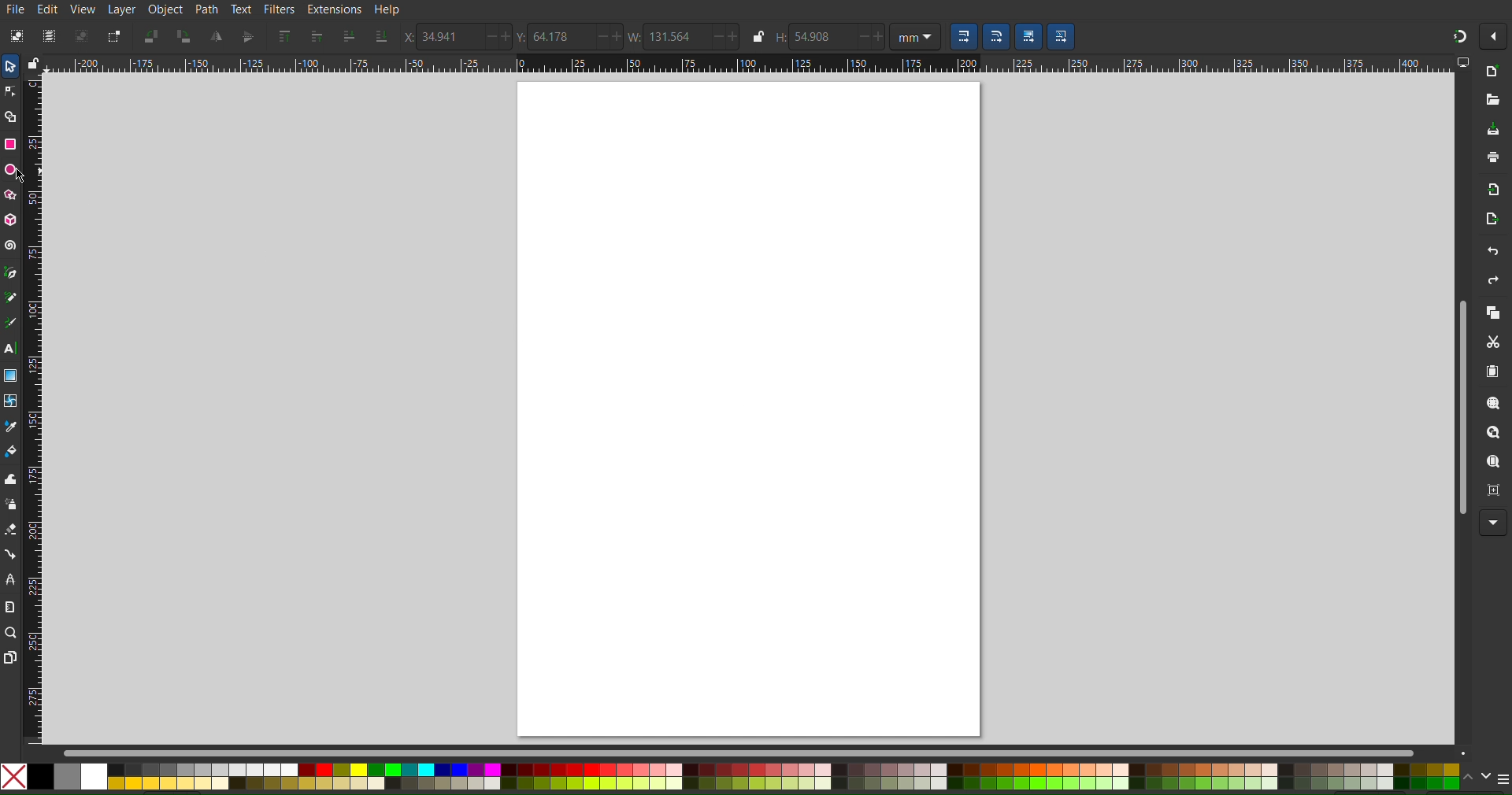 The height and width of the screenshot is (795, 1512). Describe the element at coordinates (821, 36) in the screenshot. I see `54` at that location.